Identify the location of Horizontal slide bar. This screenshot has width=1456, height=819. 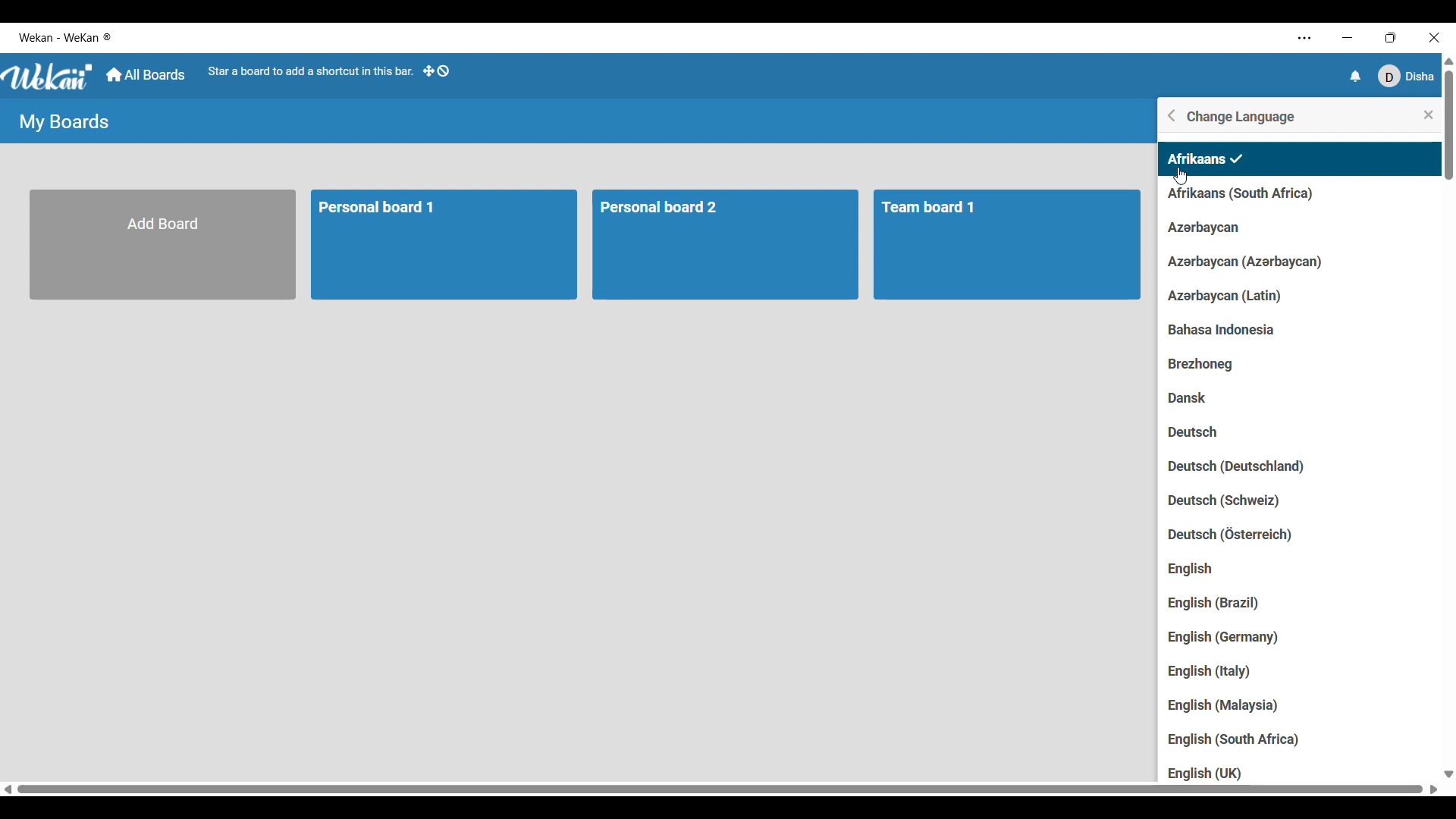
(721, 788).